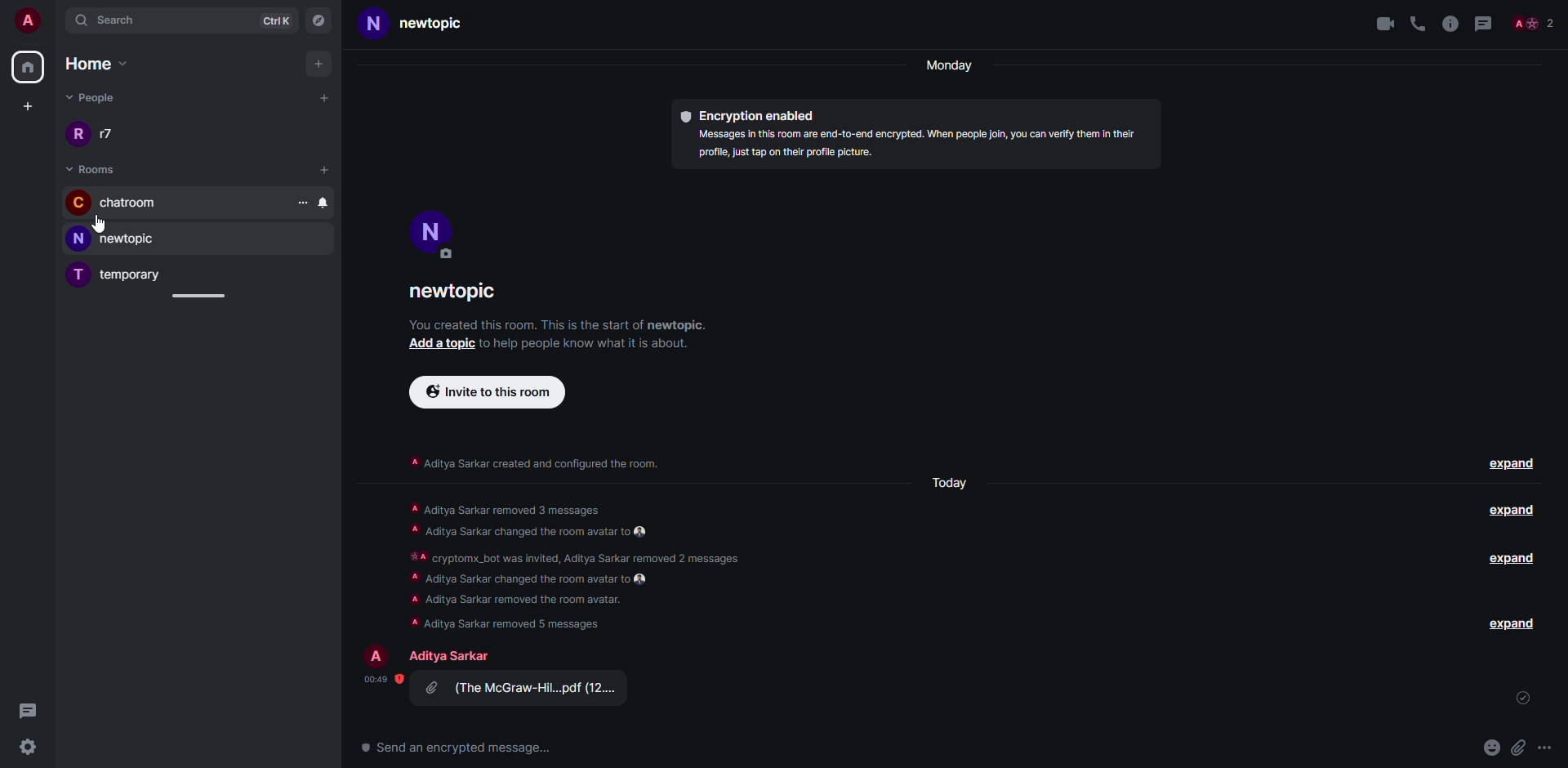 The width and height of the screenshot is (1568, 768). I want to click on time, so click(379, 678).